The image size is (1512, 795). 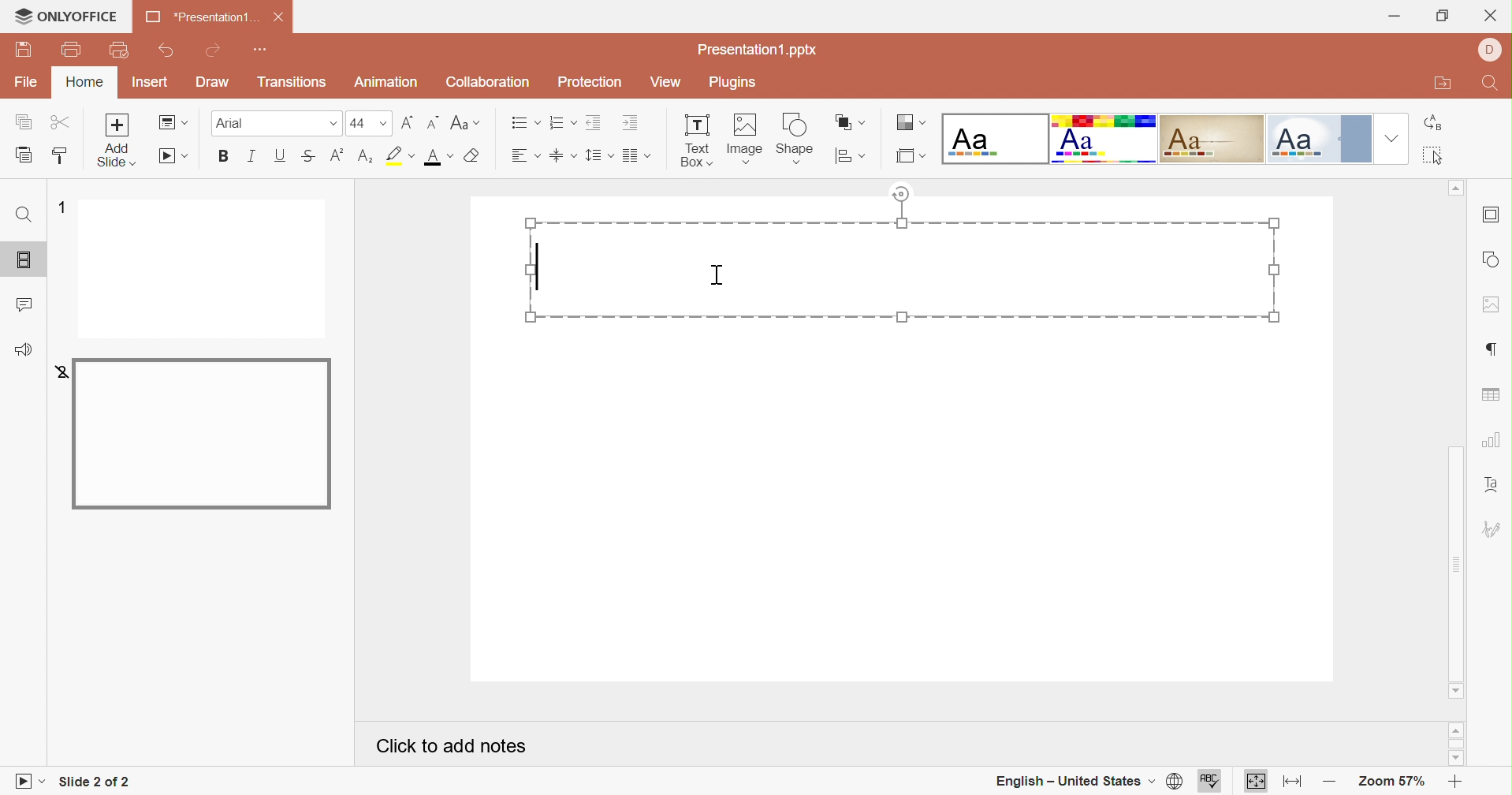 I want to click on Redo, so click(x=215, y=50).